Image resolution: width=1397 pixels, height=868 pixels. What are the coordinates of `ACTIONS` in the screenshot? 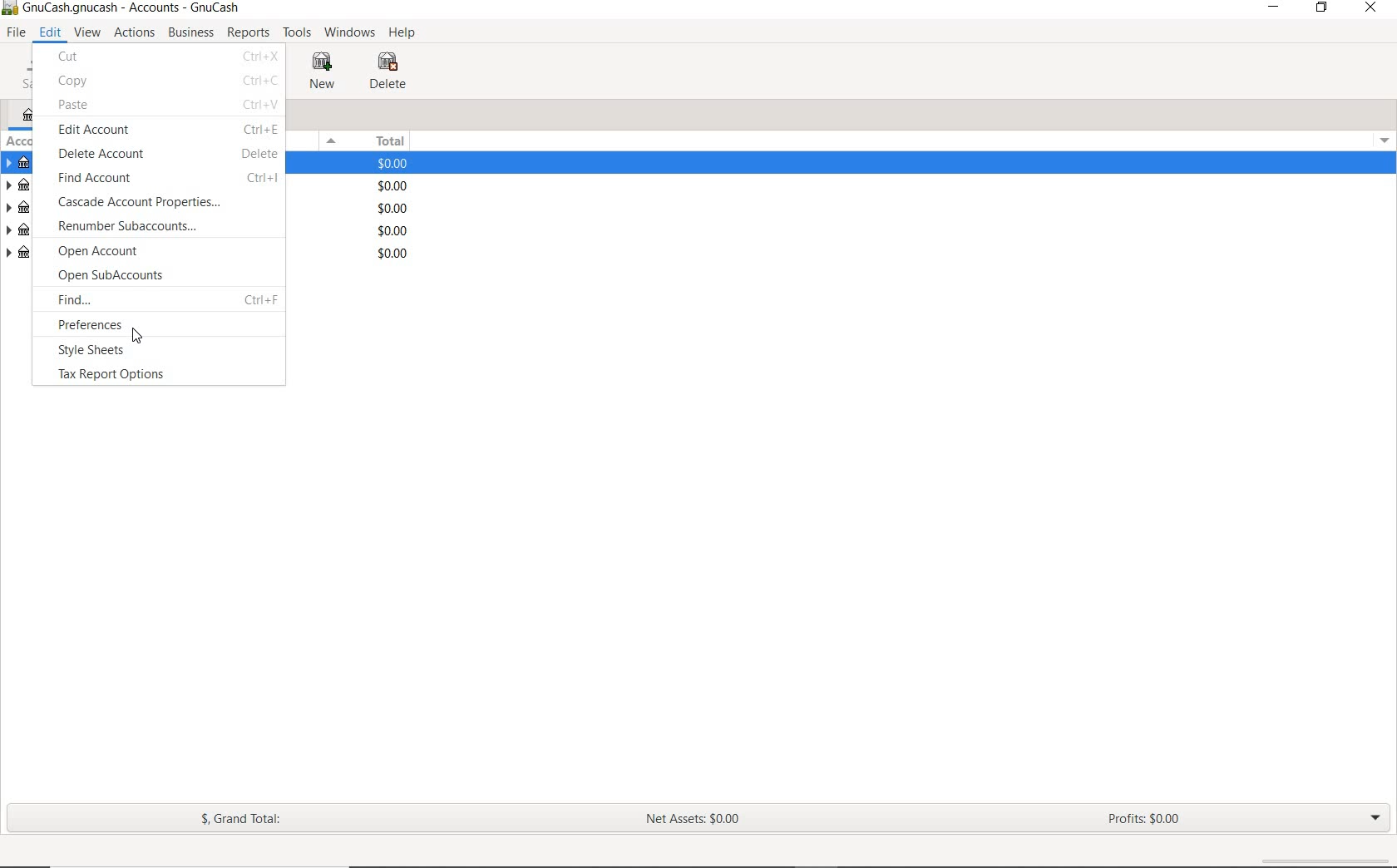 It's located at (136, 32).